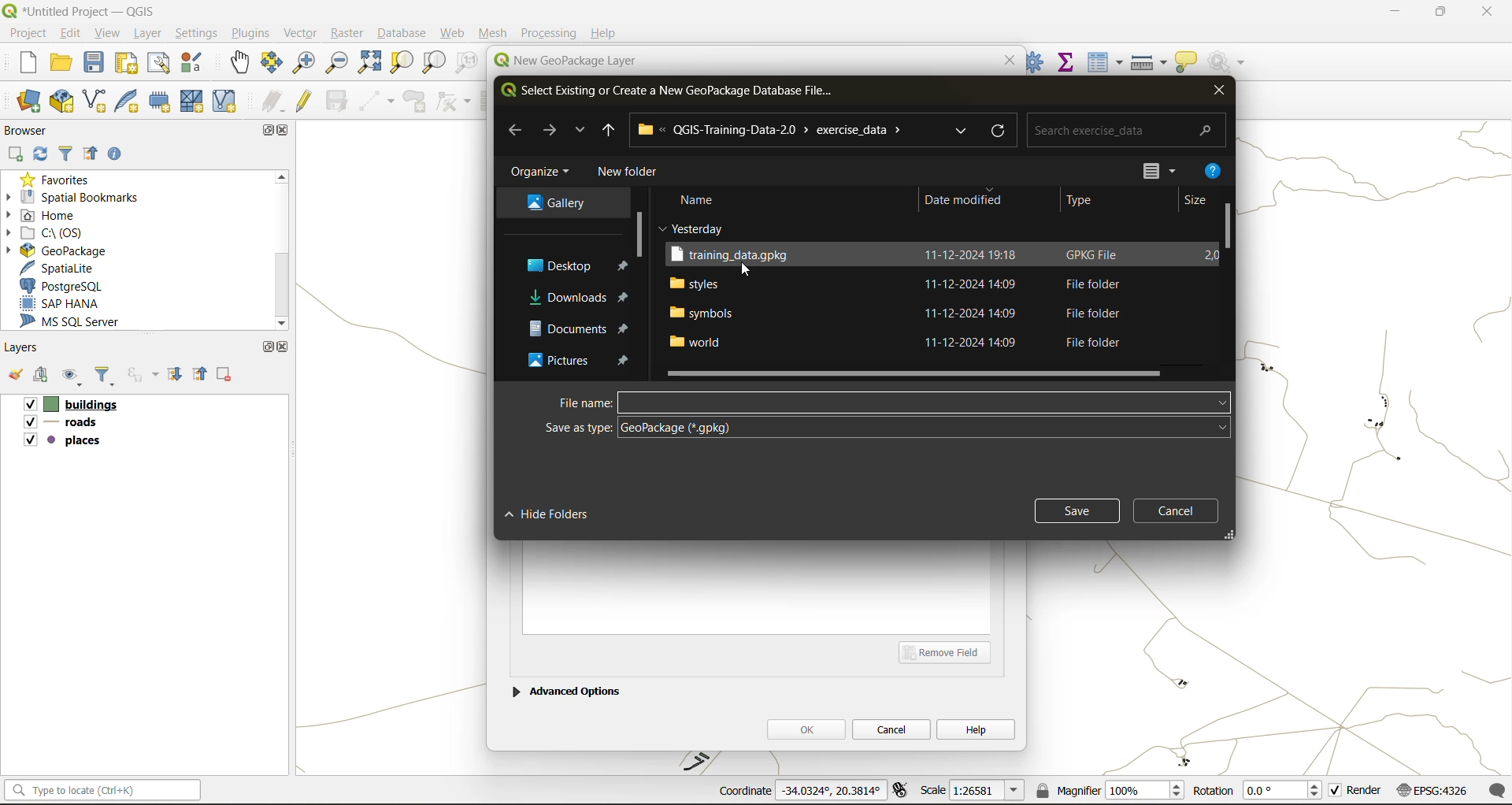  What do you see at coordinates (1390, 14) in the screenshot?
I see `minimize` at bounding box center [1390, 14].